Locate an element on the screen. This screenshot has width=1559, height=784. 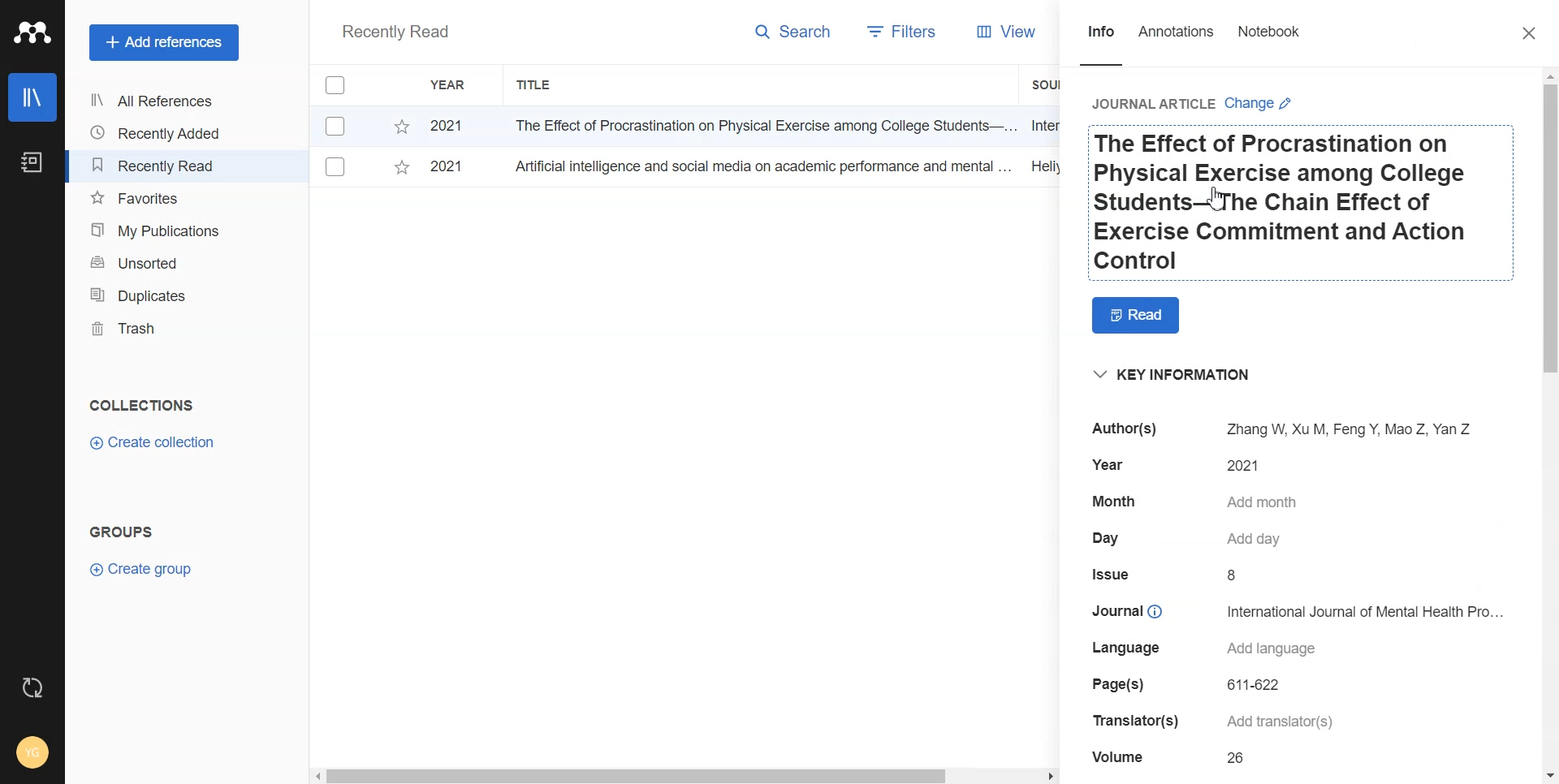
JOURNAL ARTICLE Change 2 is located at coordinates (1194, 102).